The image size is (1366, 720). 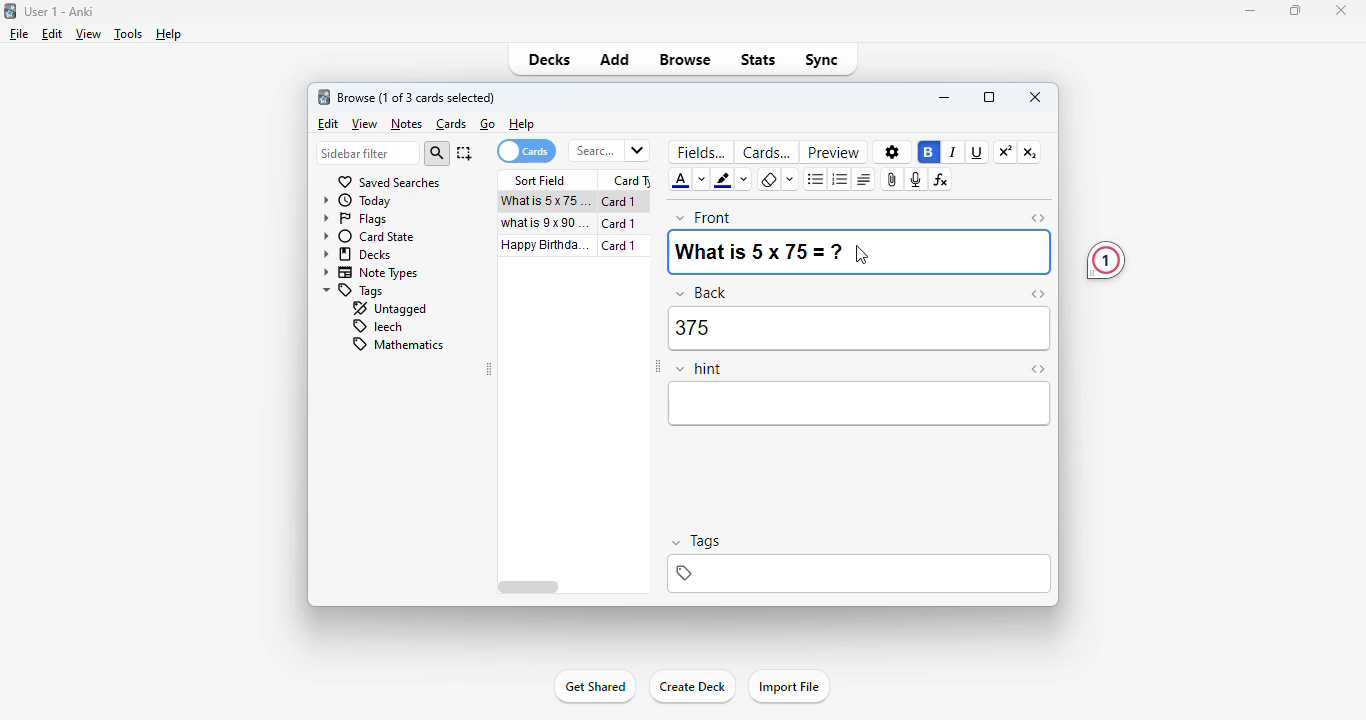 I want to click on import file, so click(x=789, y=686).